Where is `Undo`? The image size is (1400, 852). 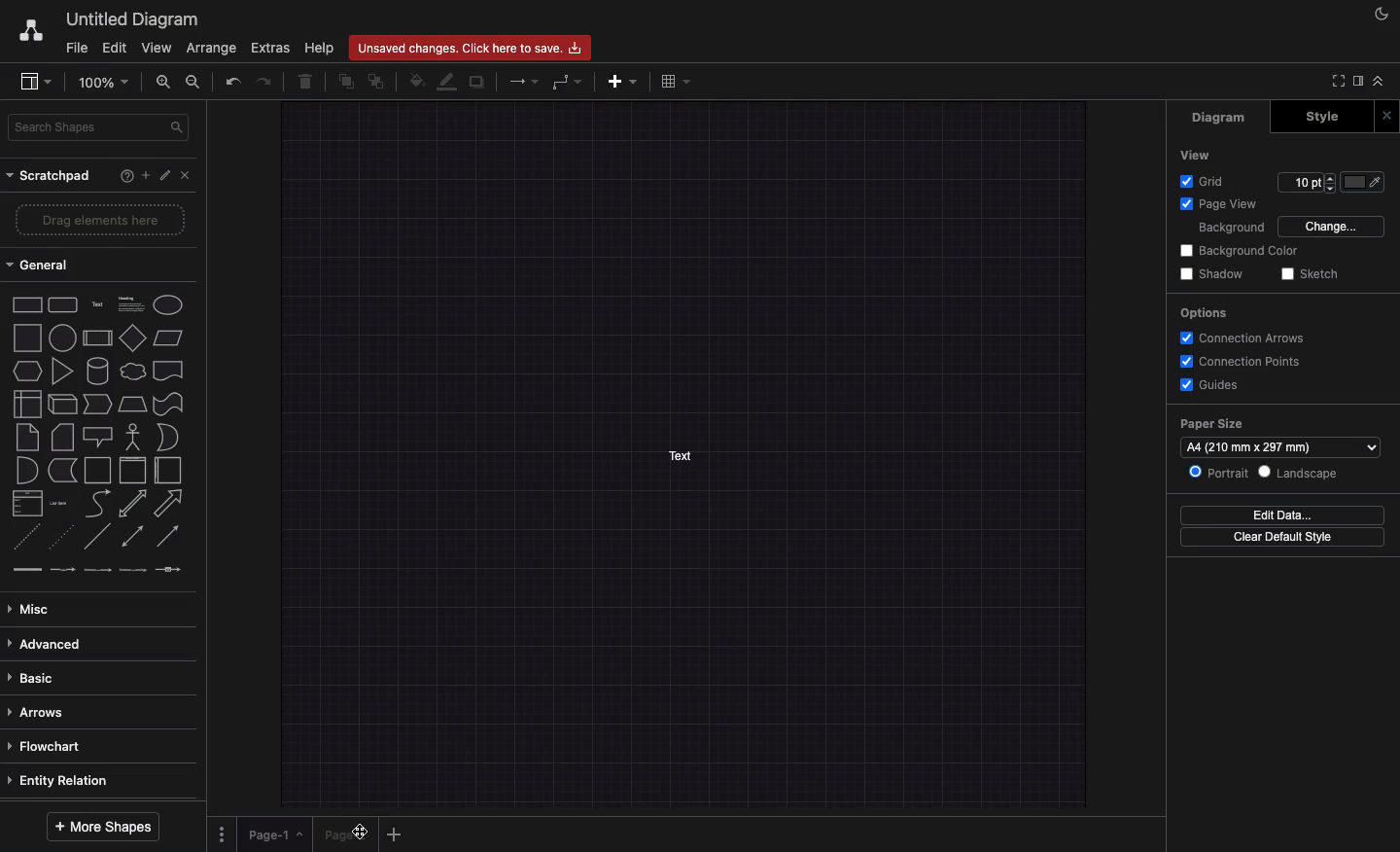 Undo is located at coordinates (234, 81).